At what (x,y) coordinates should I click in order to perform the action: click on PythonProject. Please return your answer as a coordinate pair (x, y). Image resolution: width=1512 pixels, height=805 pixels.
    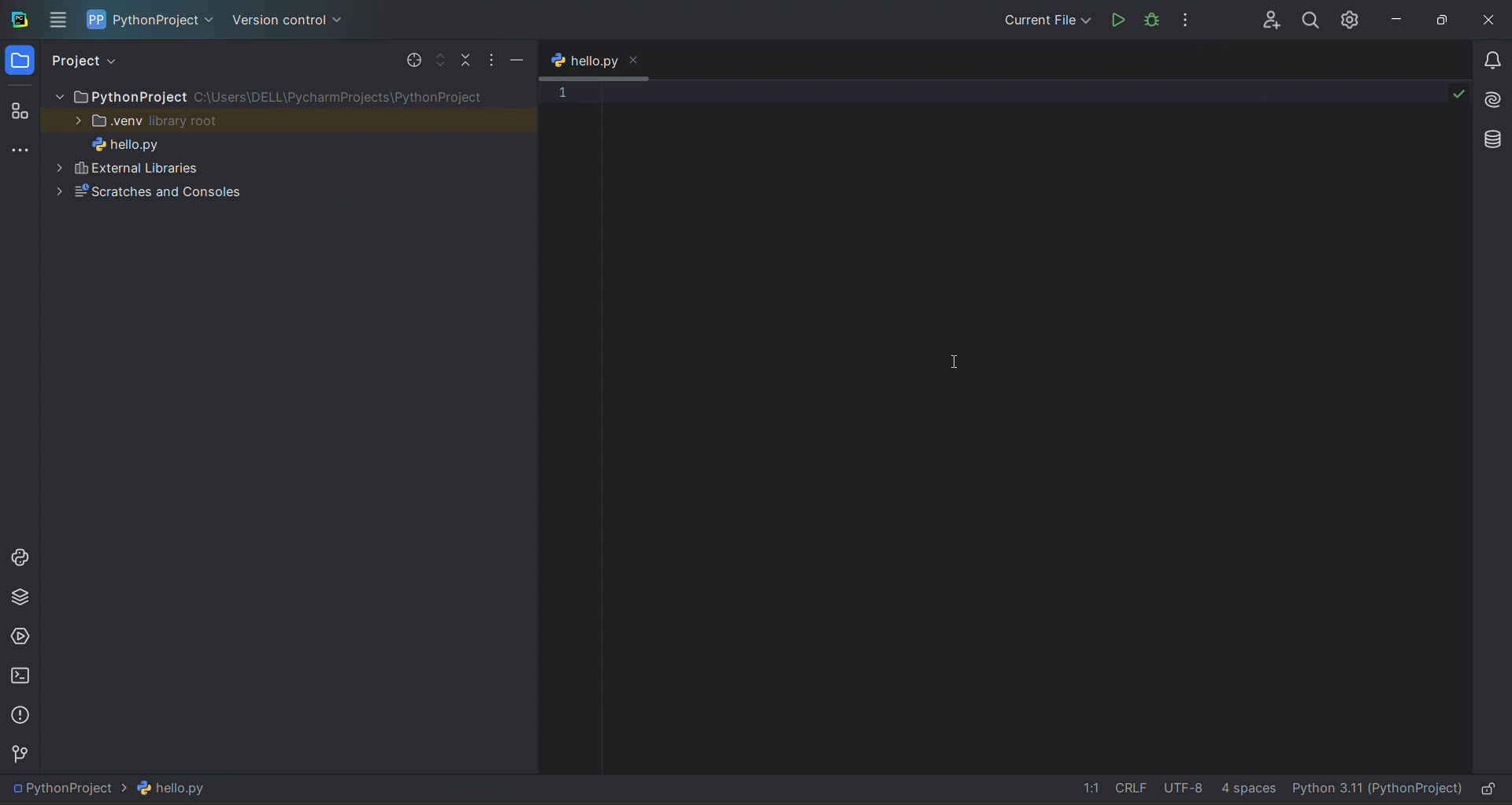
    Looking at the image, I should click on (289, 97).